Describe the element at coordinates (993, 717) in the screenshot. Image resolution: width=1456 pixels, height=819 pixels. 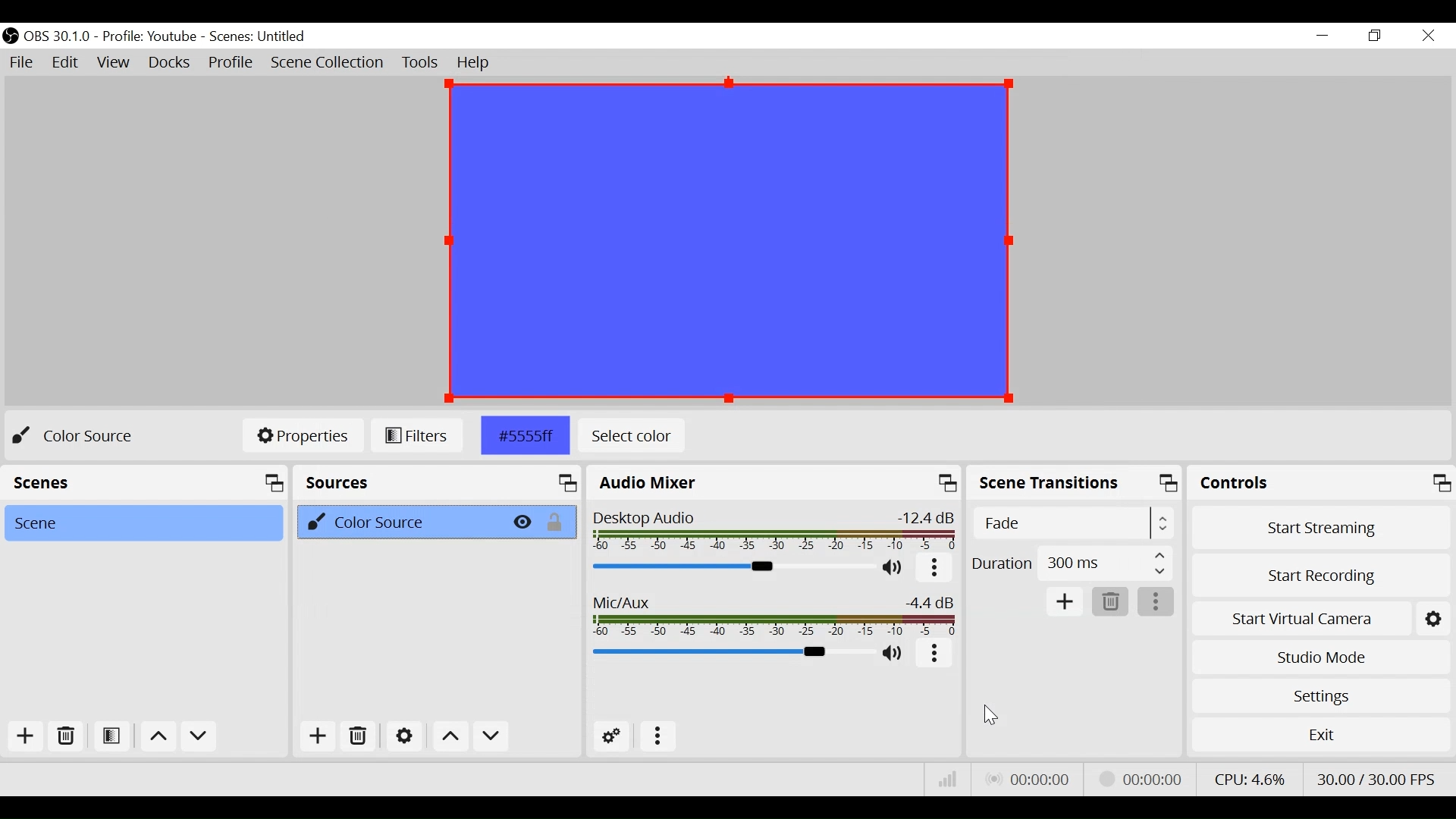
I see `Cursor` at that location.